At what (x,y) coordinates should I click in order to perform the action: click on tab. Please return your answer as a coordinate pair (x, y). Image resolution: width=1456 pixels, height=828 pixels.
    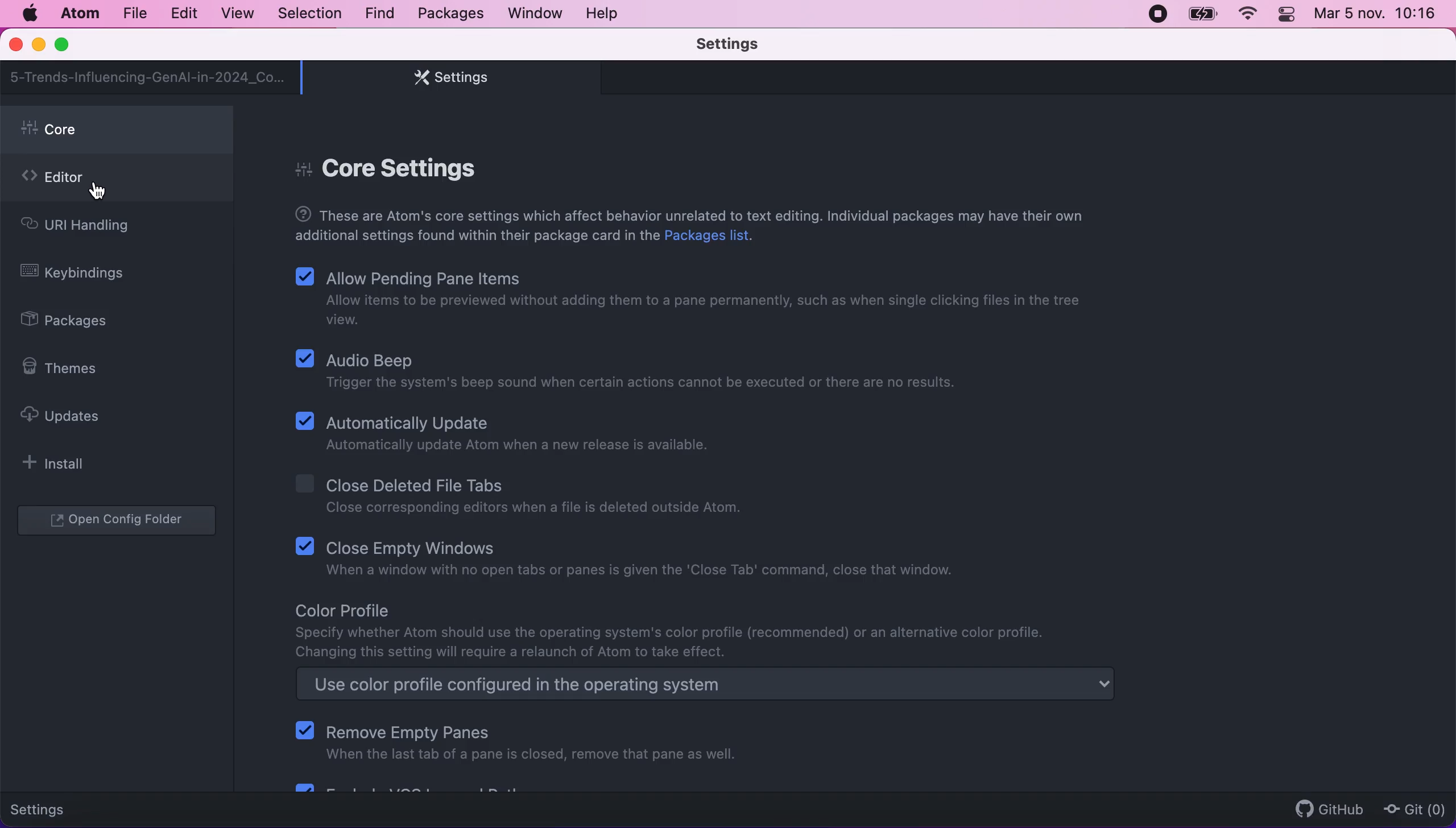
    Looking at the image, I should click on (148, 77).